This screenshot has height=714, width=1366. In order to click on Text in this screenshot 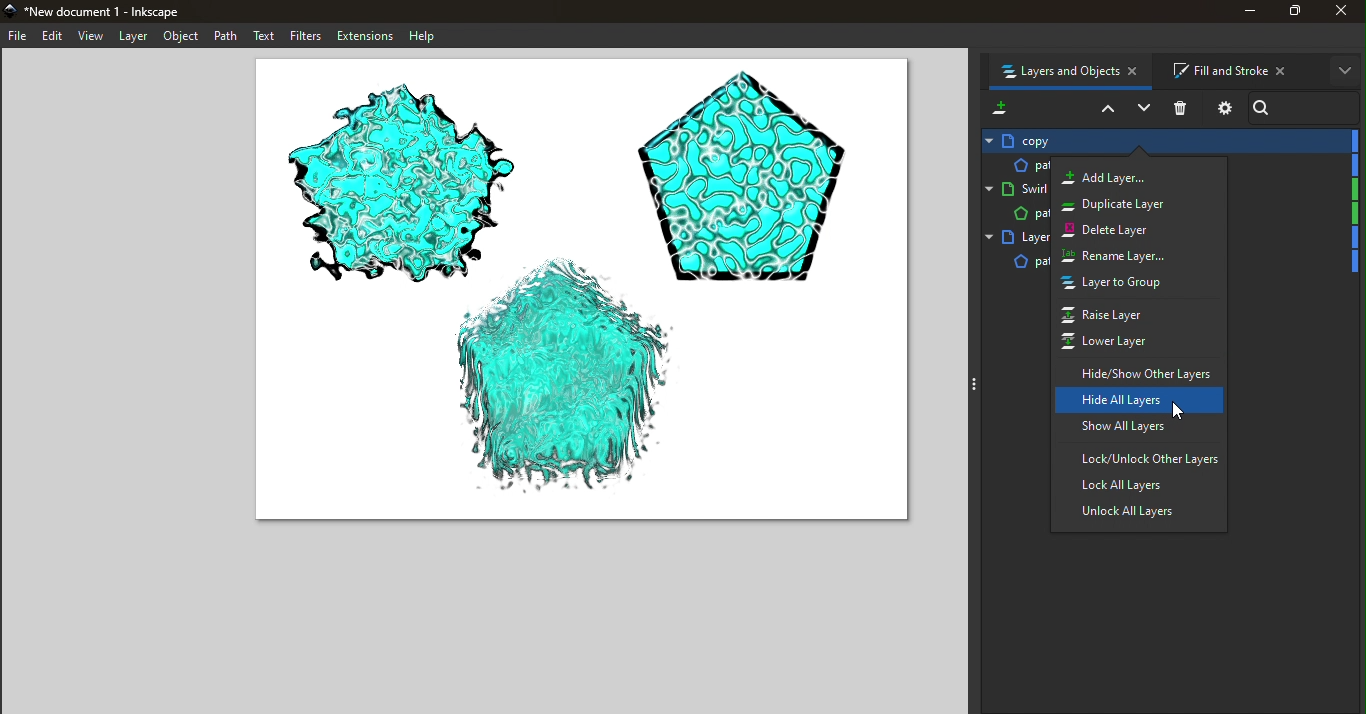, I will do `click(264, 36)`.